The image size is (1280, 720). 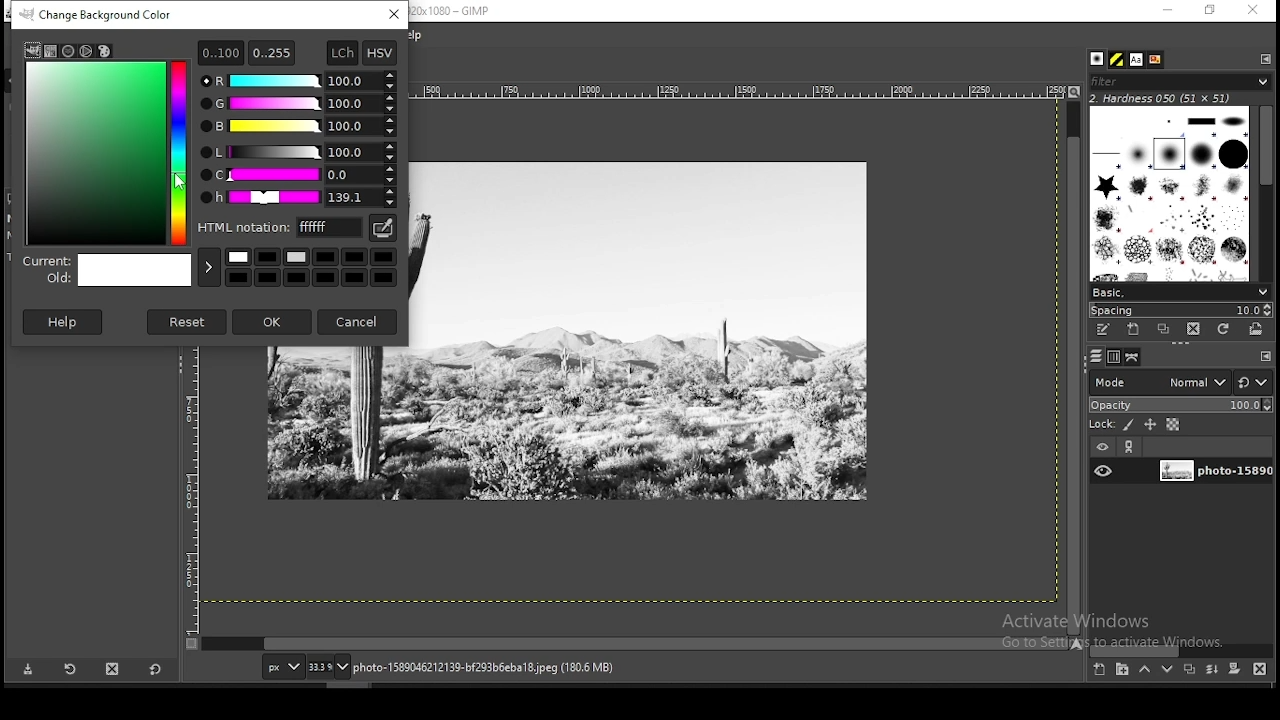 I want to click on units, so click(x=280, y=666).